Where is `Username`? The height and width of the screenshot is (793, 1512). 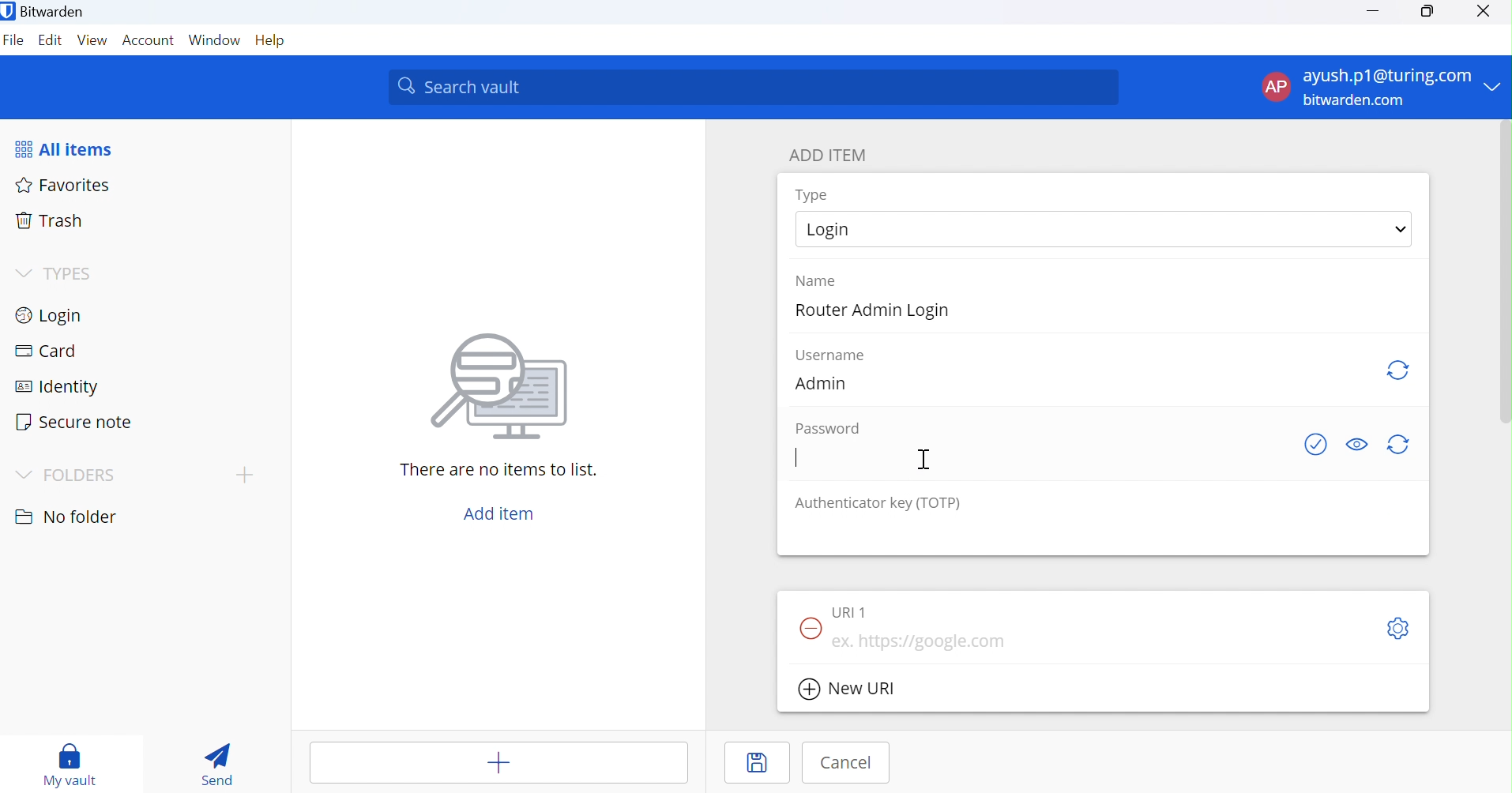 Username is located at coordinates (829, 355).